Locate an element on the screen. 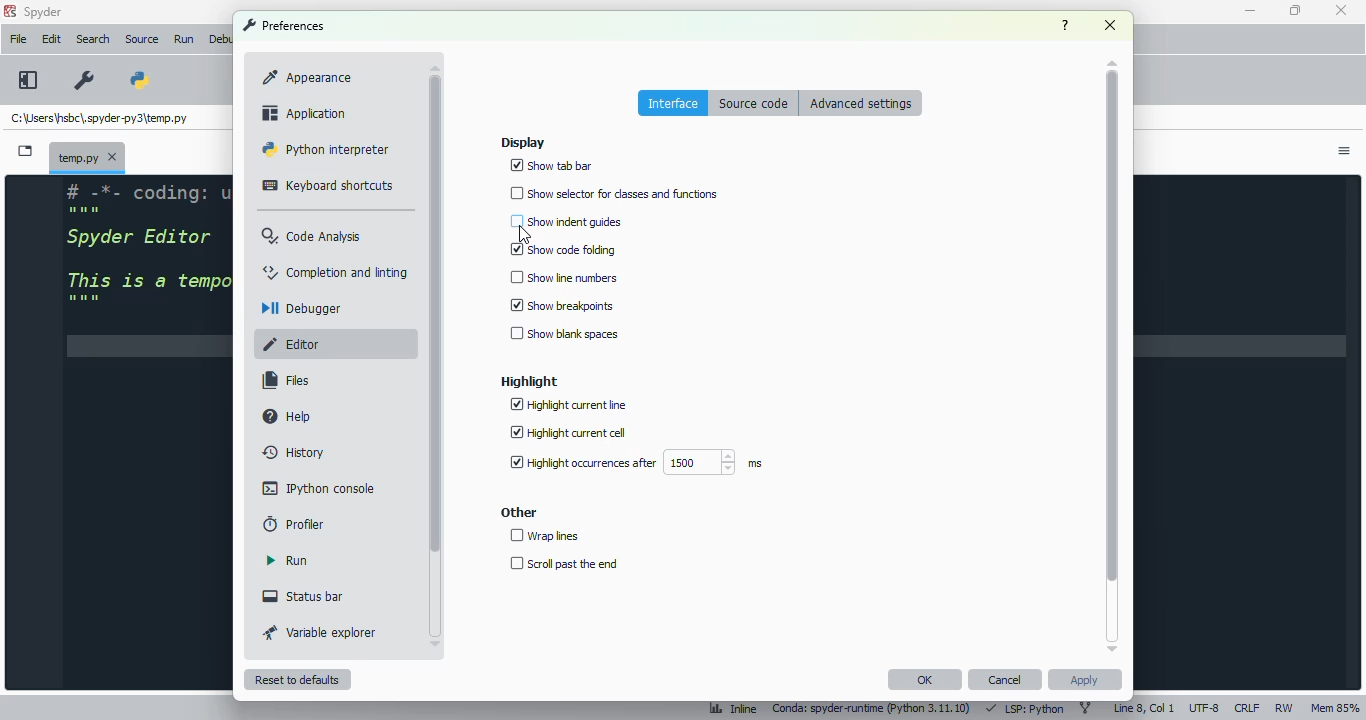  highlight occurrences after 1500 ms is located at coordinates (631, 463).